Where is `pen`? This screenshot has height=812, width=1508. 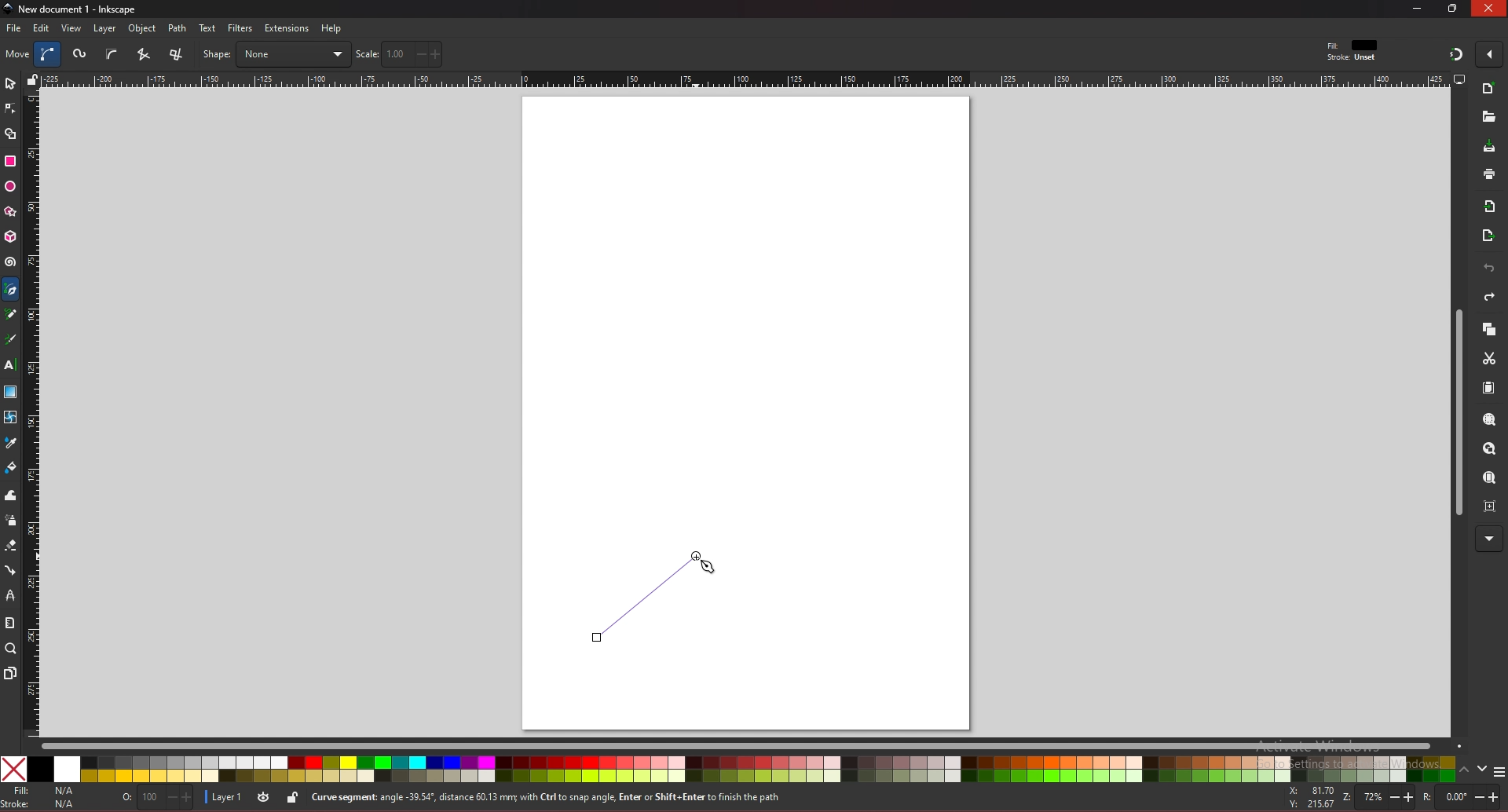
pen is located at coordinates (13, 290).